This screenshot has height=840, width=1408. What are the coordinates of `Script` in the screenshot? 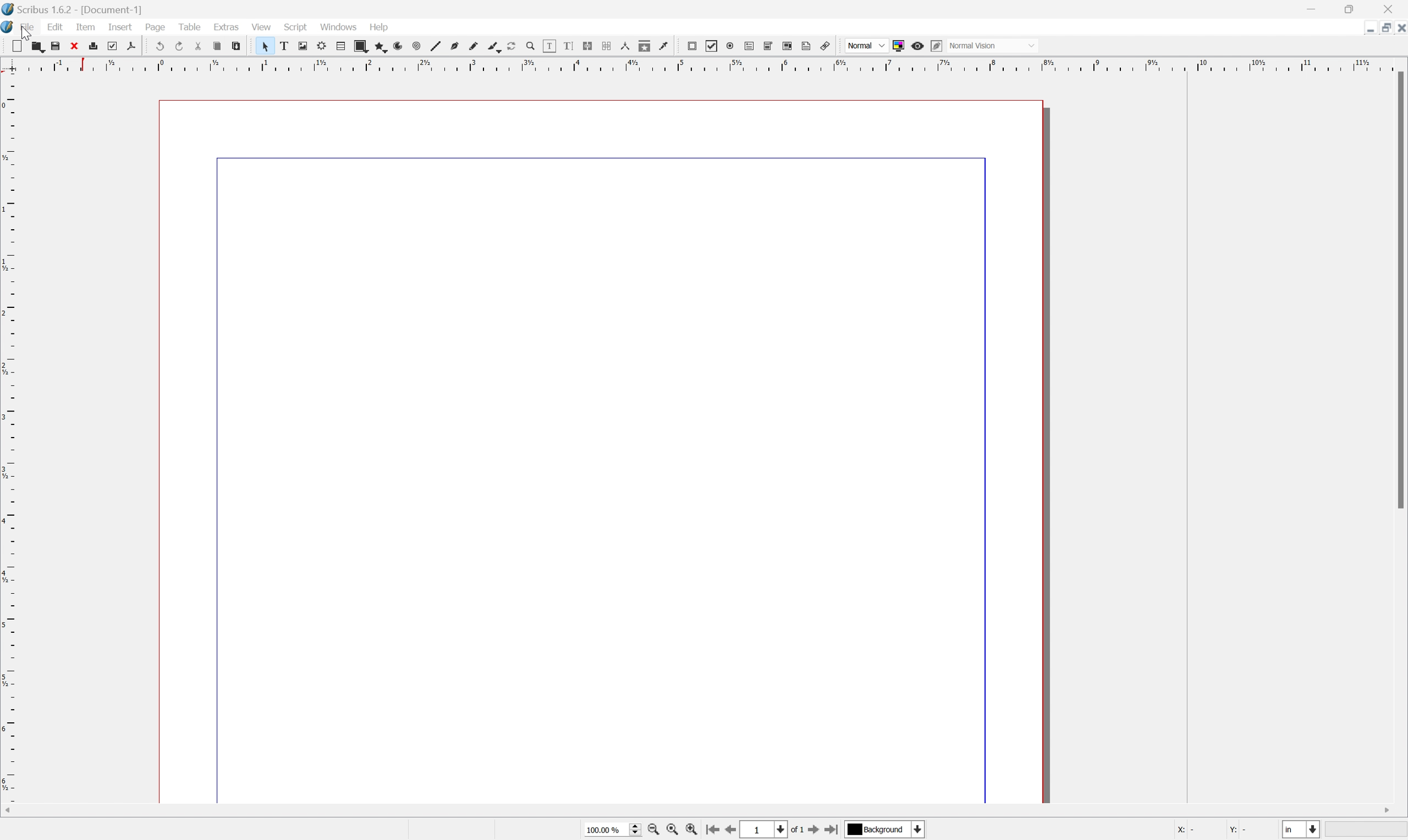 It's located at (296, 28).